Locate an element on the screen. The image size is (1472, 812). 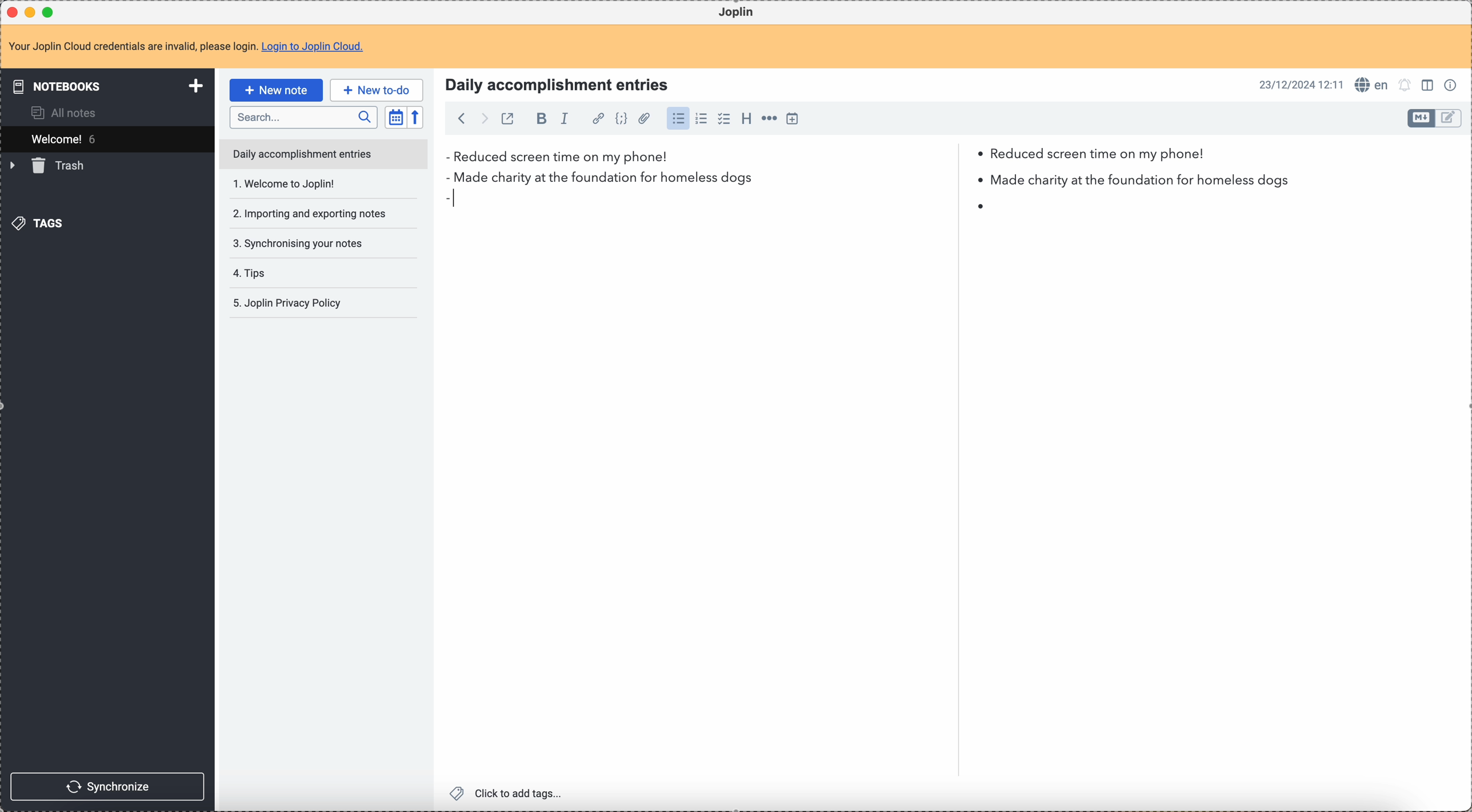
toggle edit layout is located at coordinates (1449, 118).